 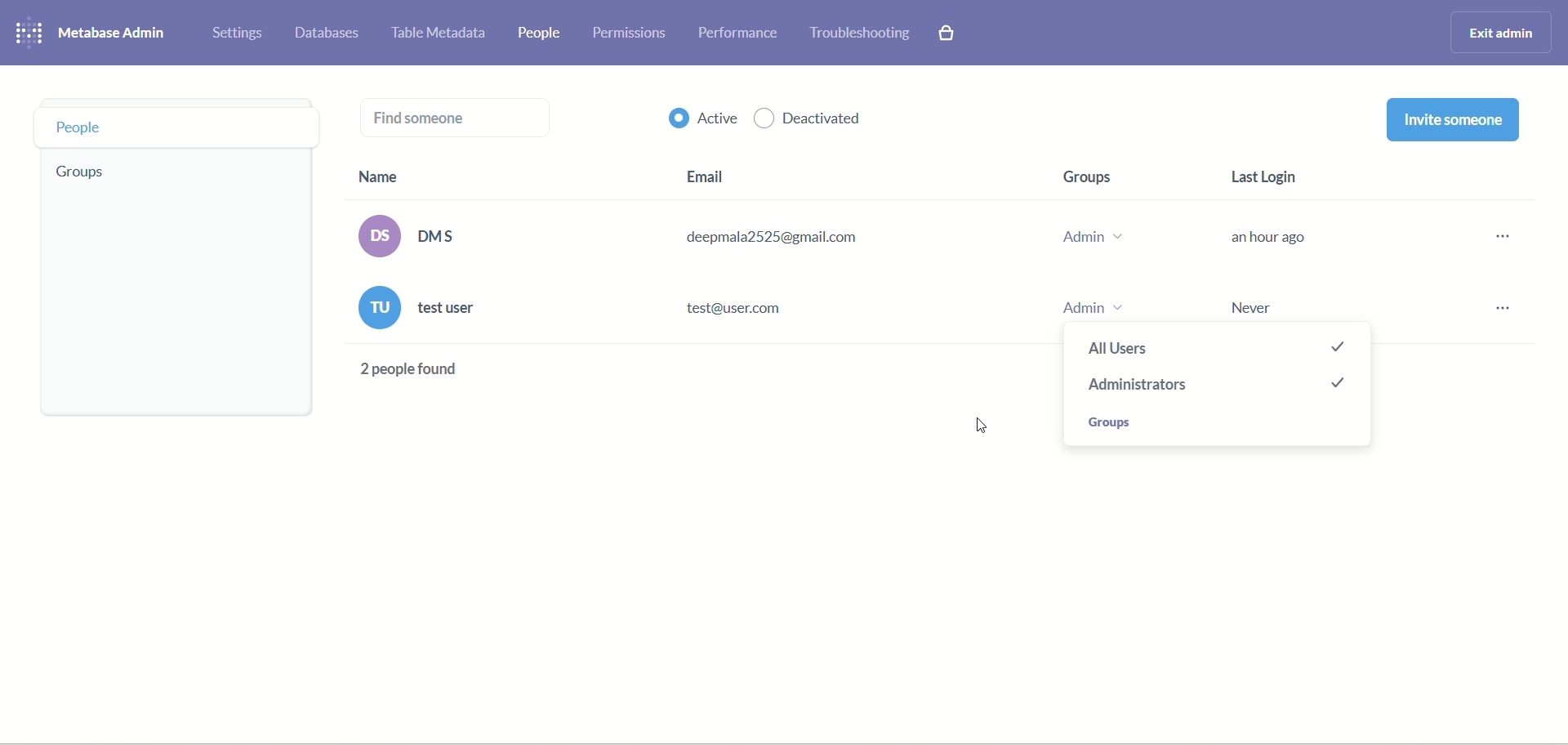 I want to click on Cursor, so click(x=978, y=428).